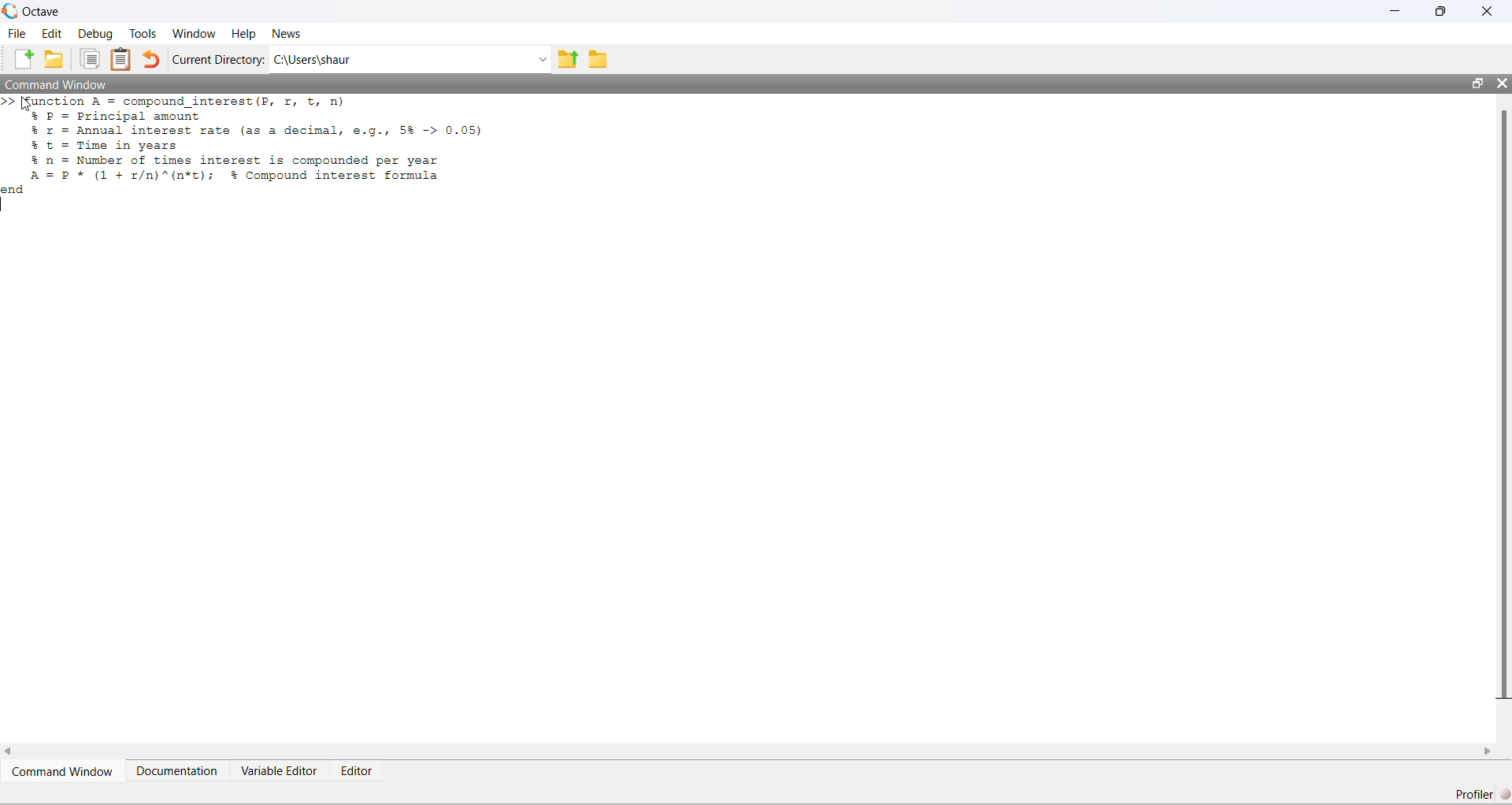 The width and height of the screenshot is (1512, 805). I want to click on maximize, so click(1477, 83).